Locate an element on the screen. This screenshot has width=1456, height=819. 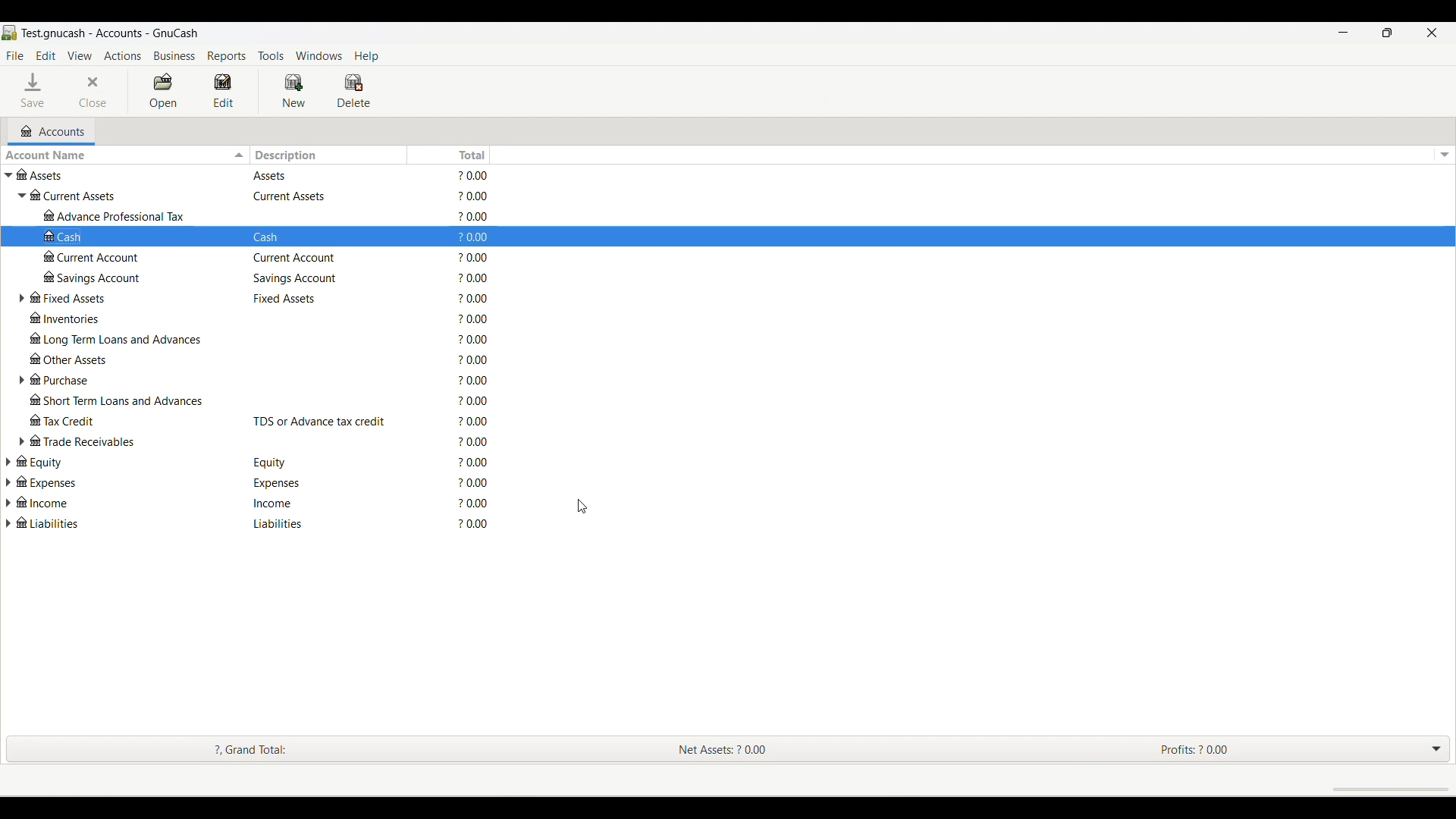
Respective inputs is located at coordinates (322, 352).